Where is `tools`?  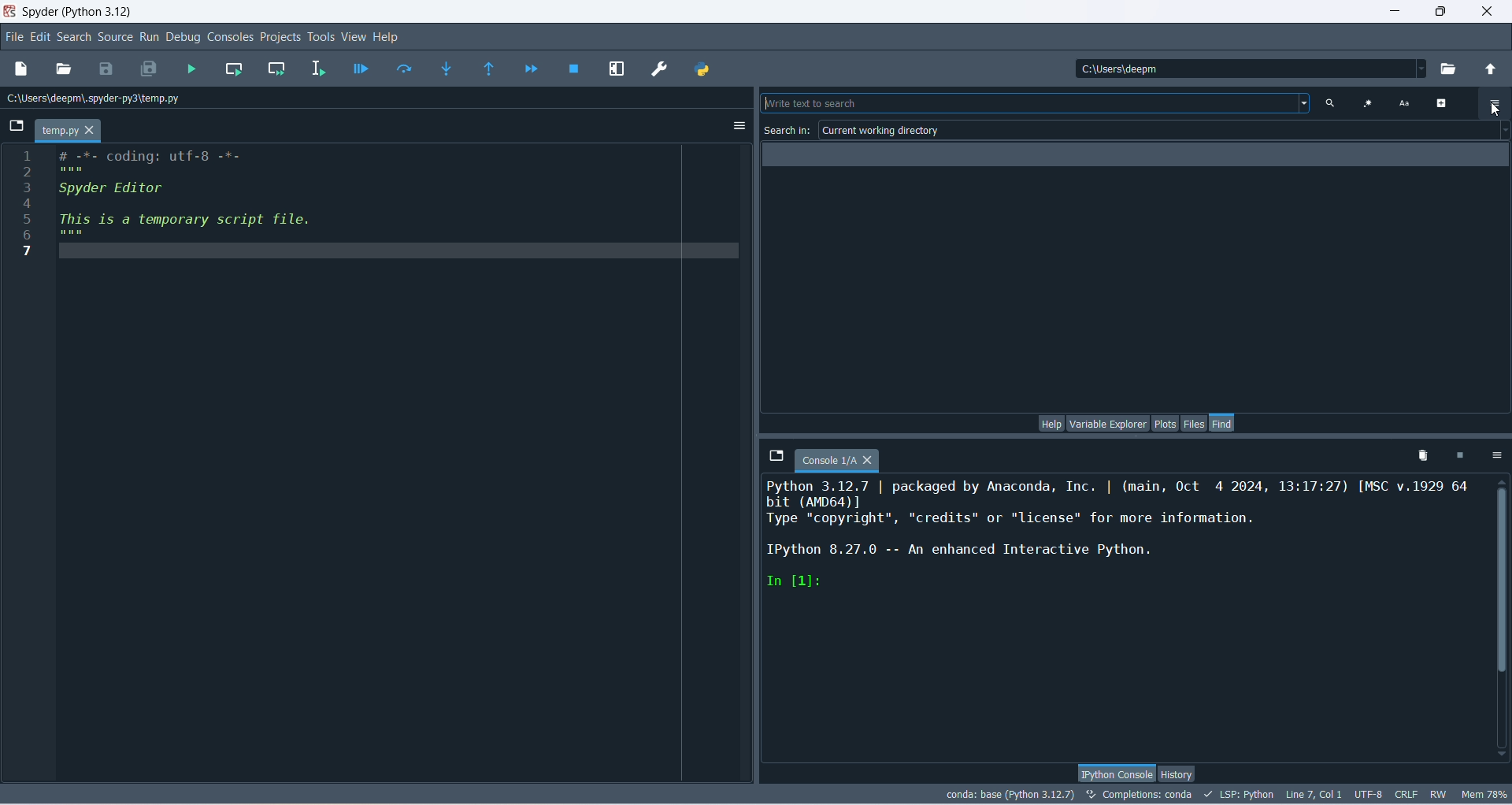
tools is located at coordinates (321, 38).